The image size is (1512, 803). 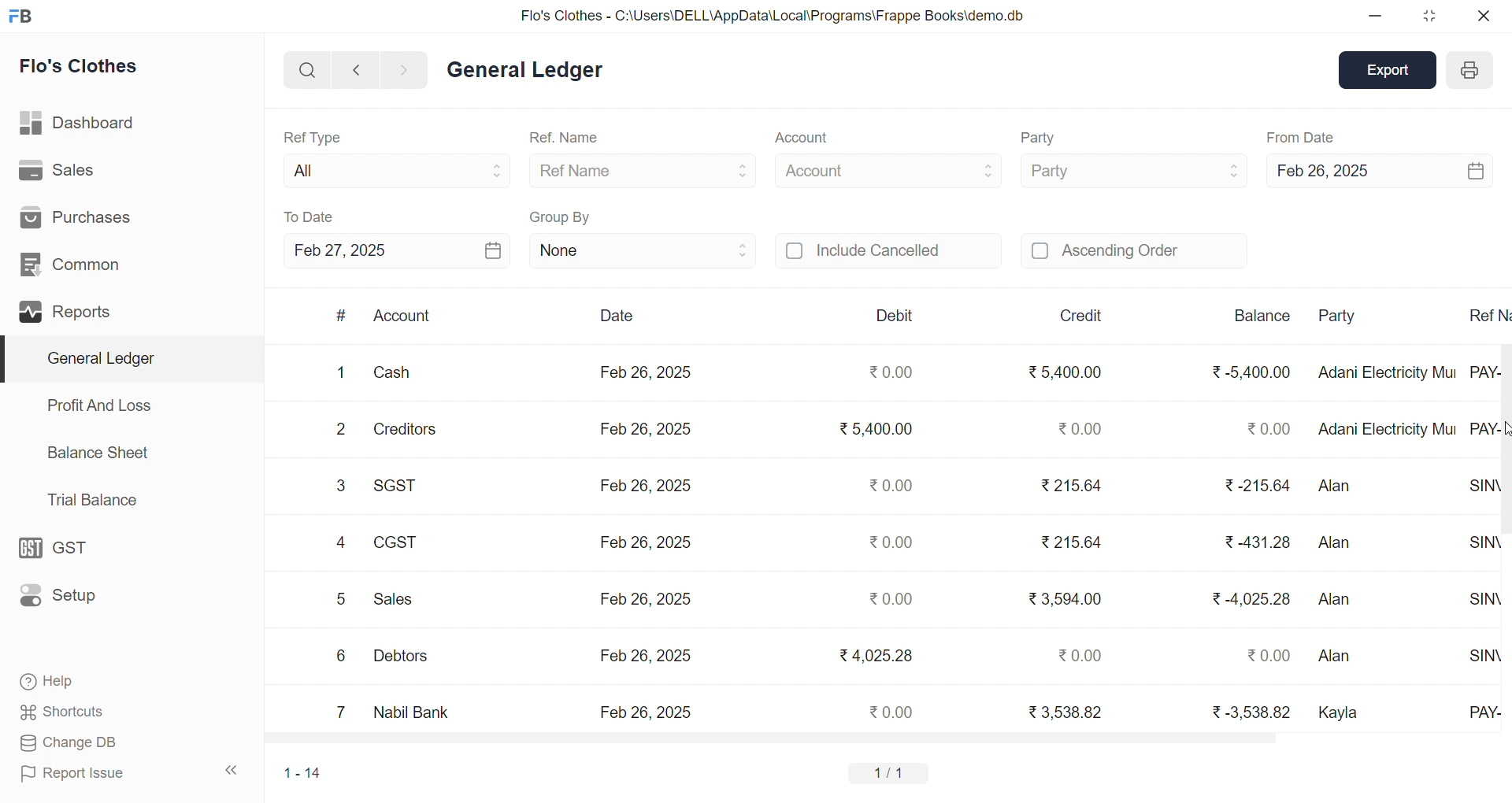 What do you see at coordinates (411, 709) in the screenshot?
I see `Nabil Bank` at bounding box center [411, 709].